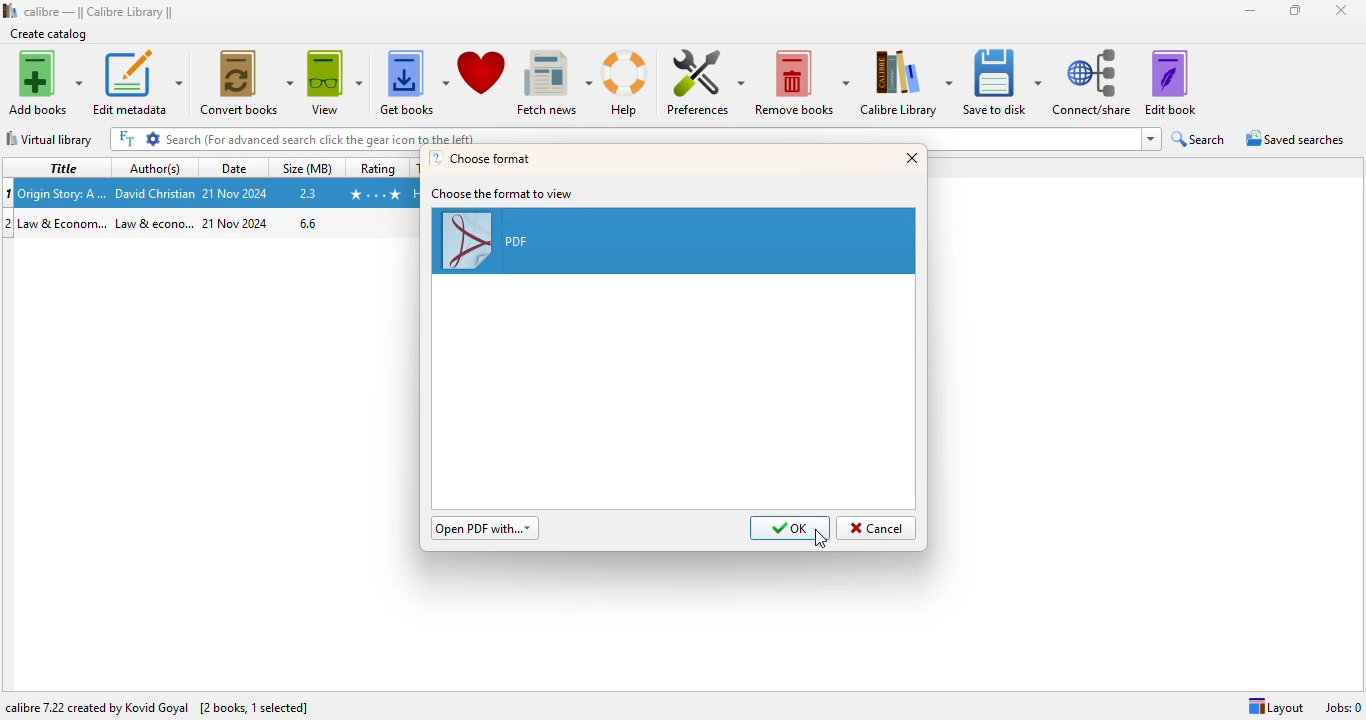 The image size is (1366, 720). What do you see at coordinates (307, 222) in the screenshot?
I see `size in mbs` at bounding box center [307, 222].